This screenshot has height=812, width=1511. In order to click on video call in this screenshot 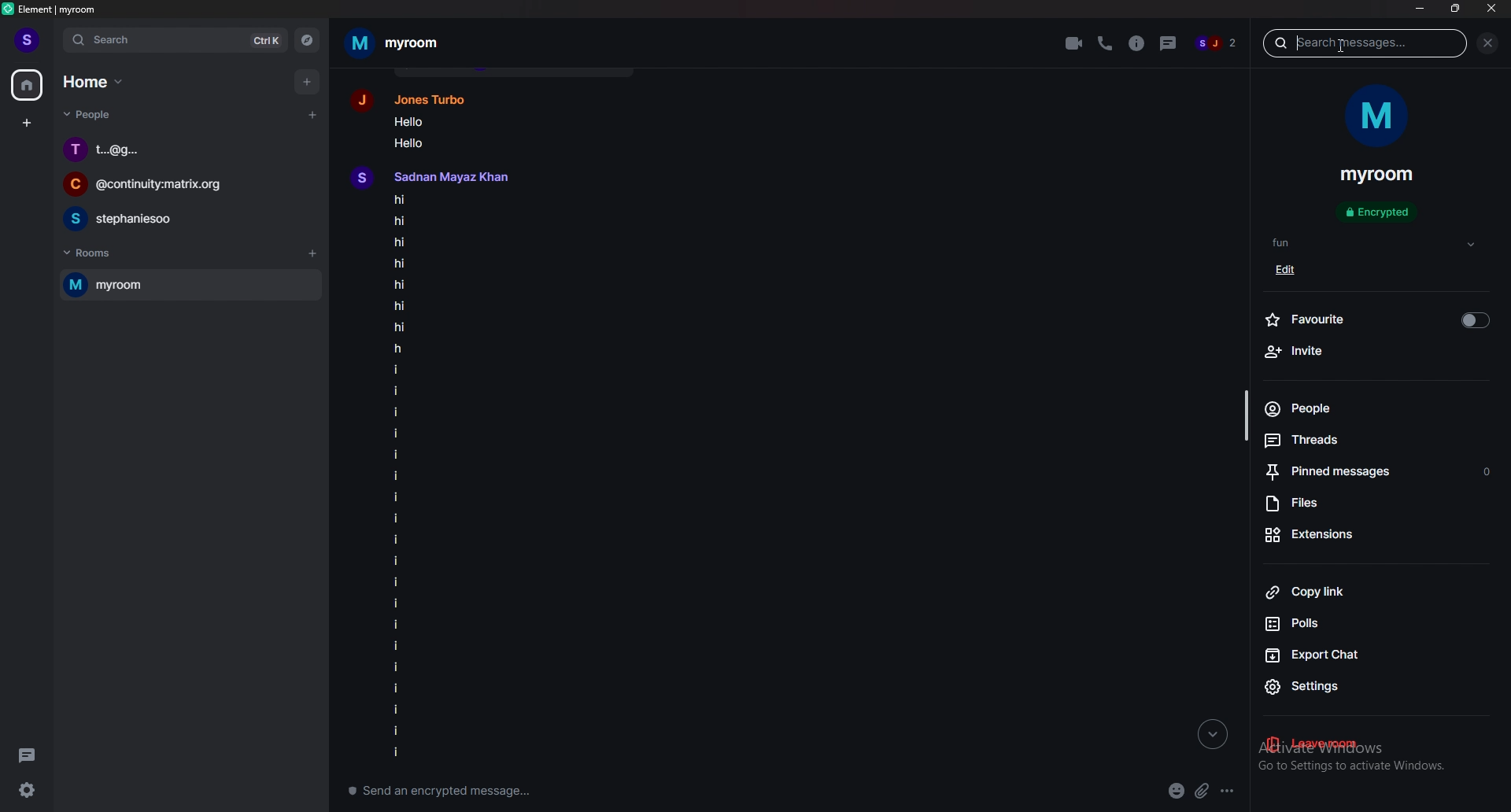, I will do `click(1075, 44)`.